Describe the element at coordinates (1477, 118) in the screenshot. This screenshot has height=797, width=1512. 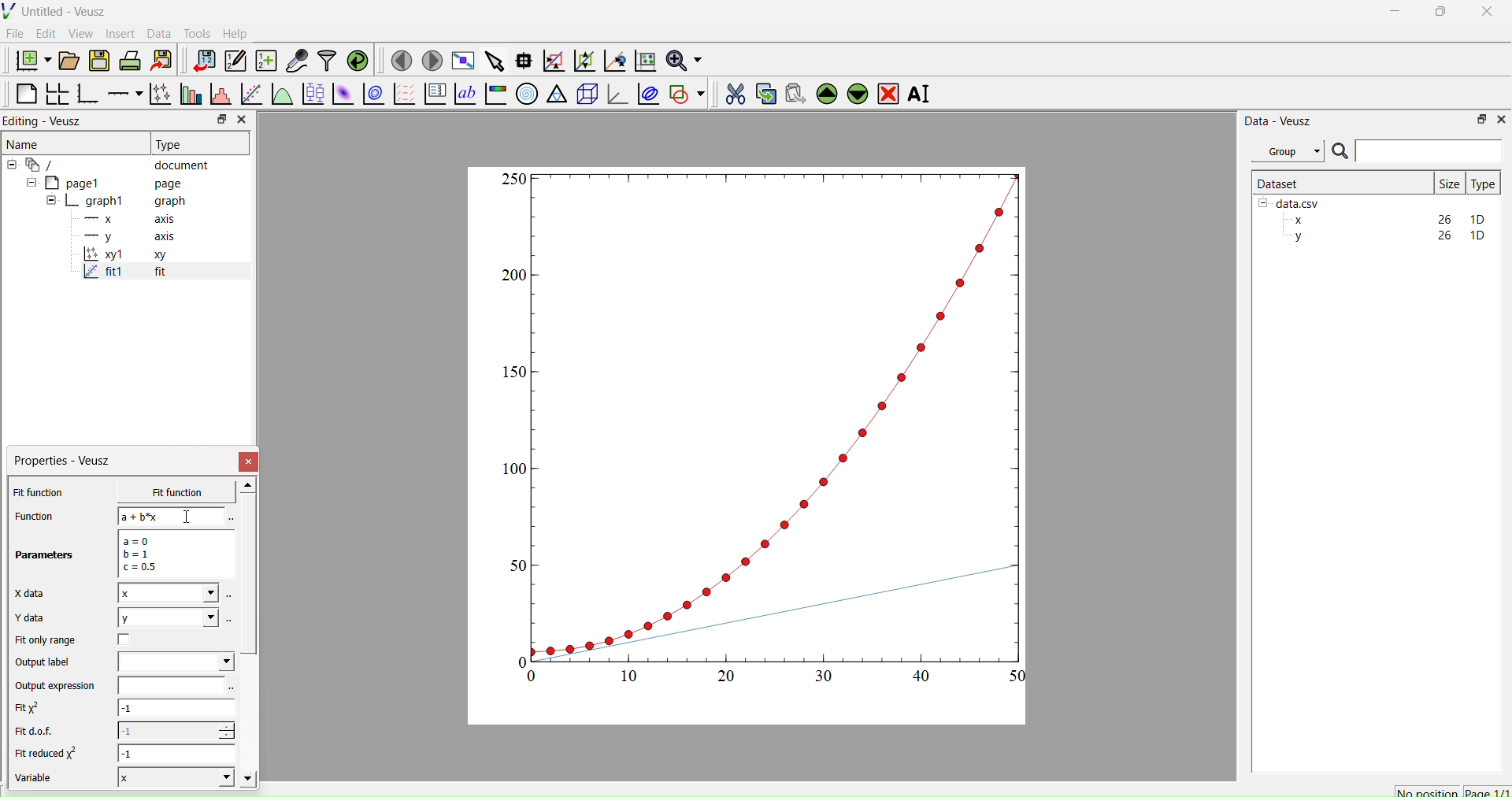
I see `Restore Down` at that location.